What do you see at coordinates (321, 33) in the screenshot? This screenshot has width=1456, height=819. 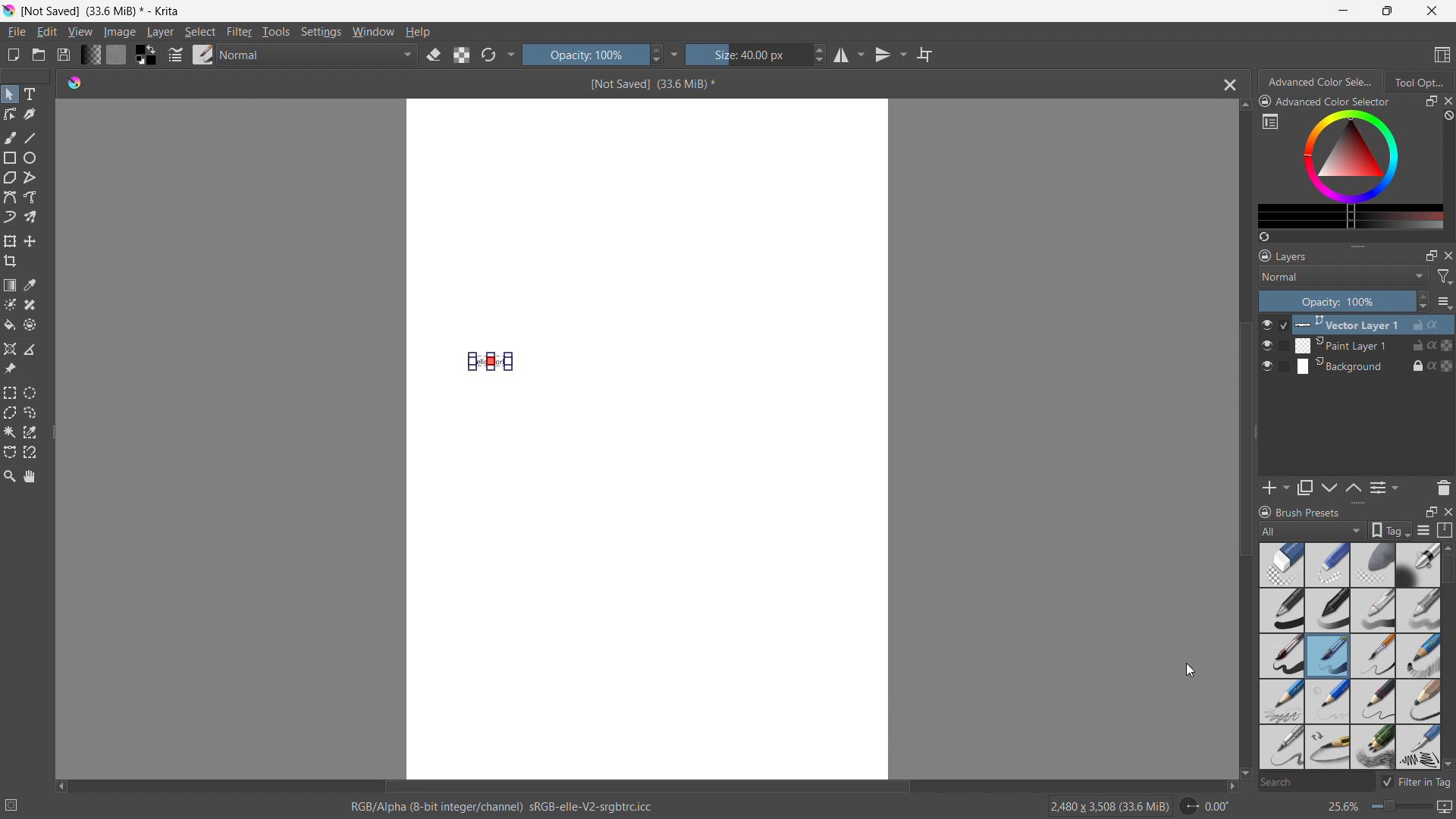 I see `settings` at bounding box center [321, 33].